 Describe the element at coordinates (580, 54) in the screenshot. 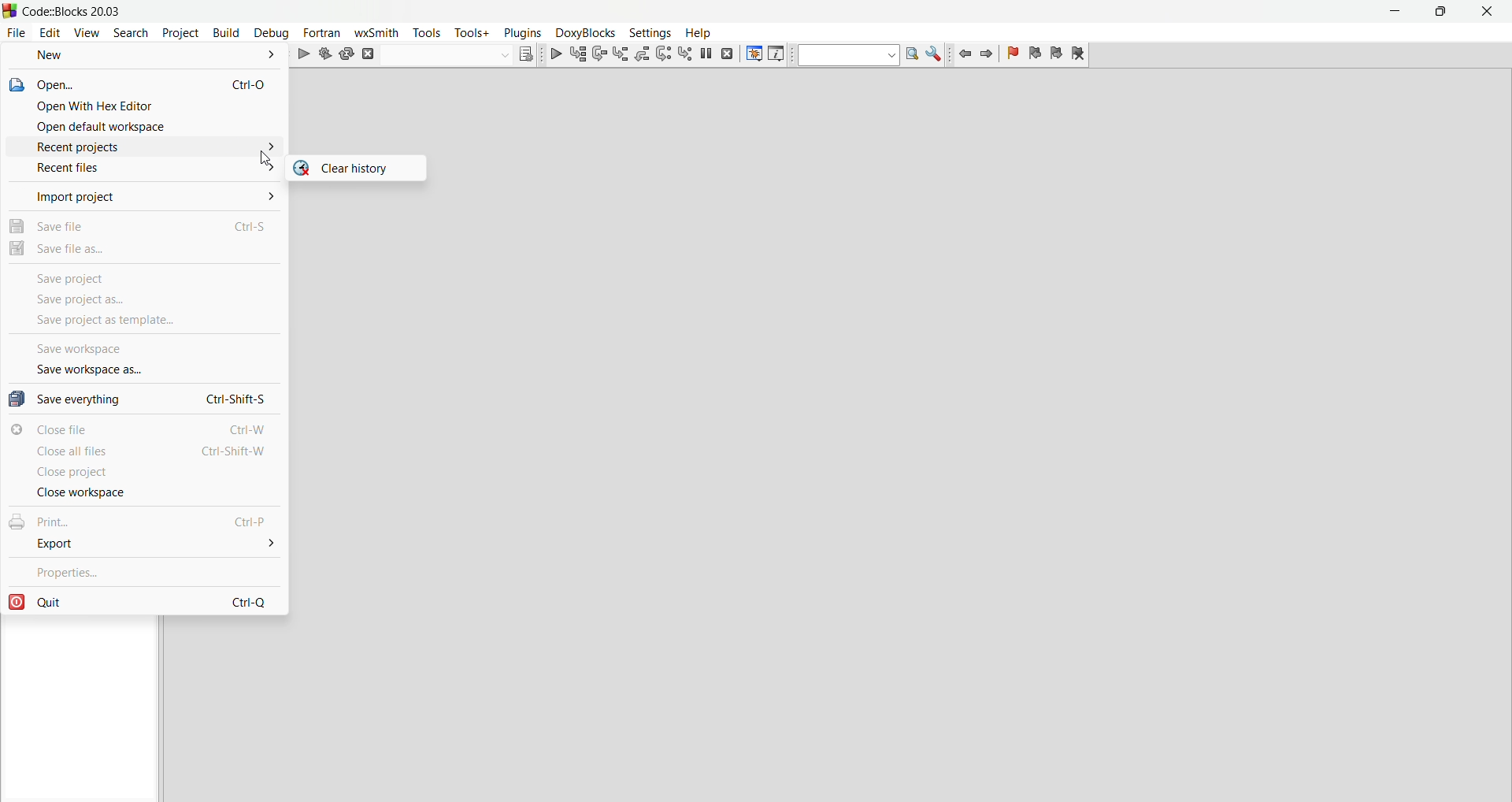

I see `run to ursor` at that location.